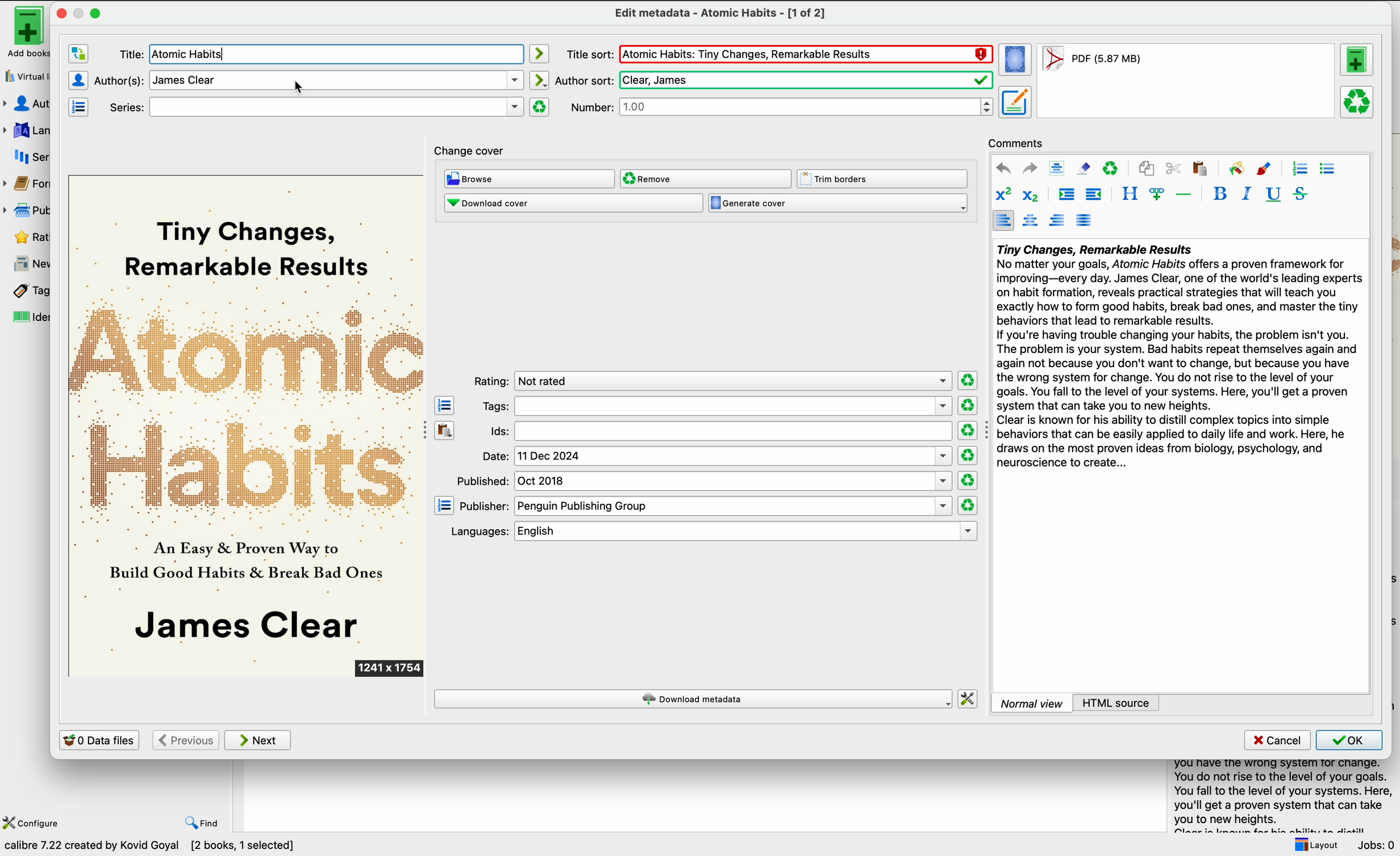 This screenshot has height=856, width=1400. I want to click on click on author, so click(292, 87).